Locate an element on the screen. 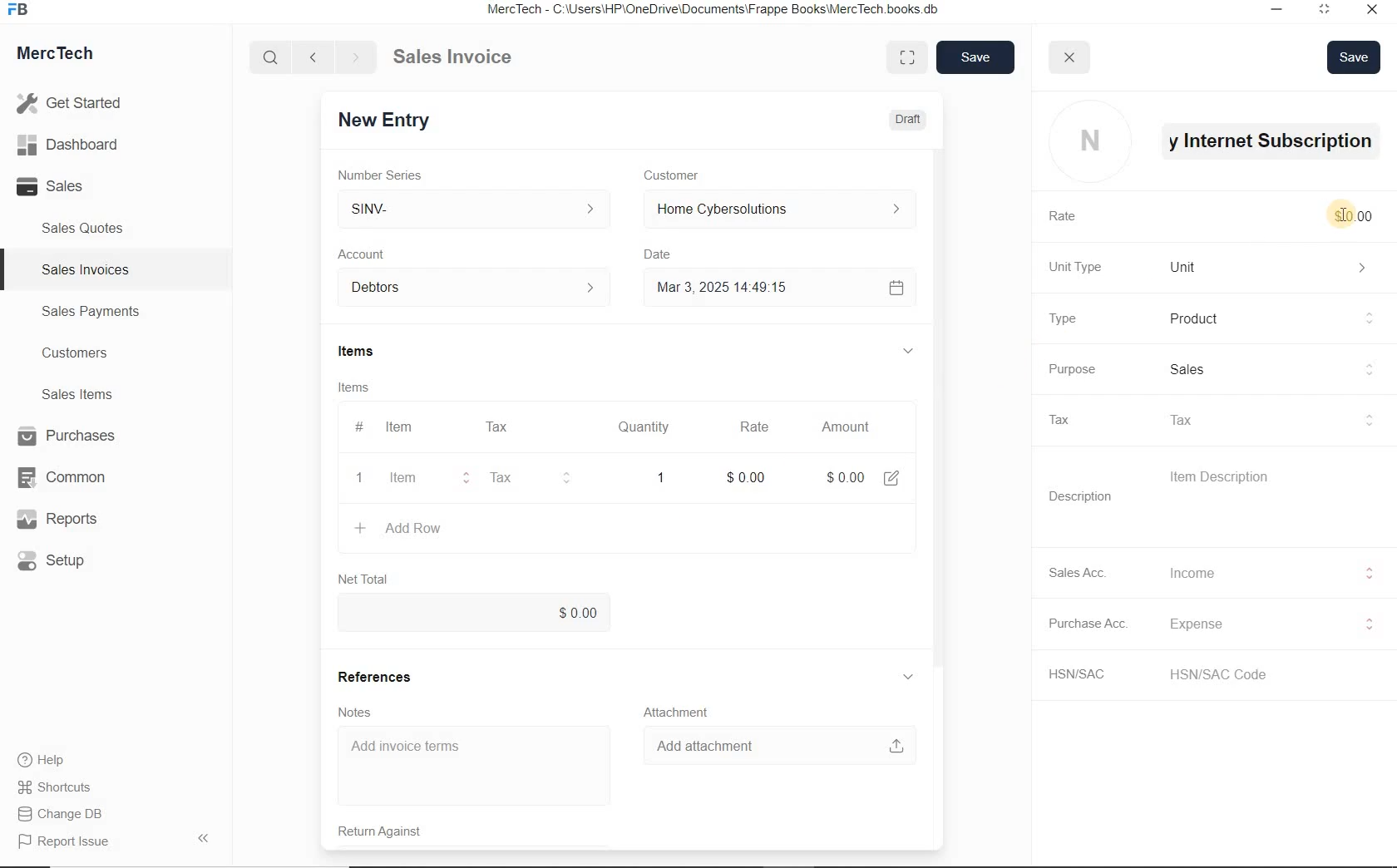 The width and height of the screenshot is (1397, 868). Purchases is located at coordinates (69, 437).